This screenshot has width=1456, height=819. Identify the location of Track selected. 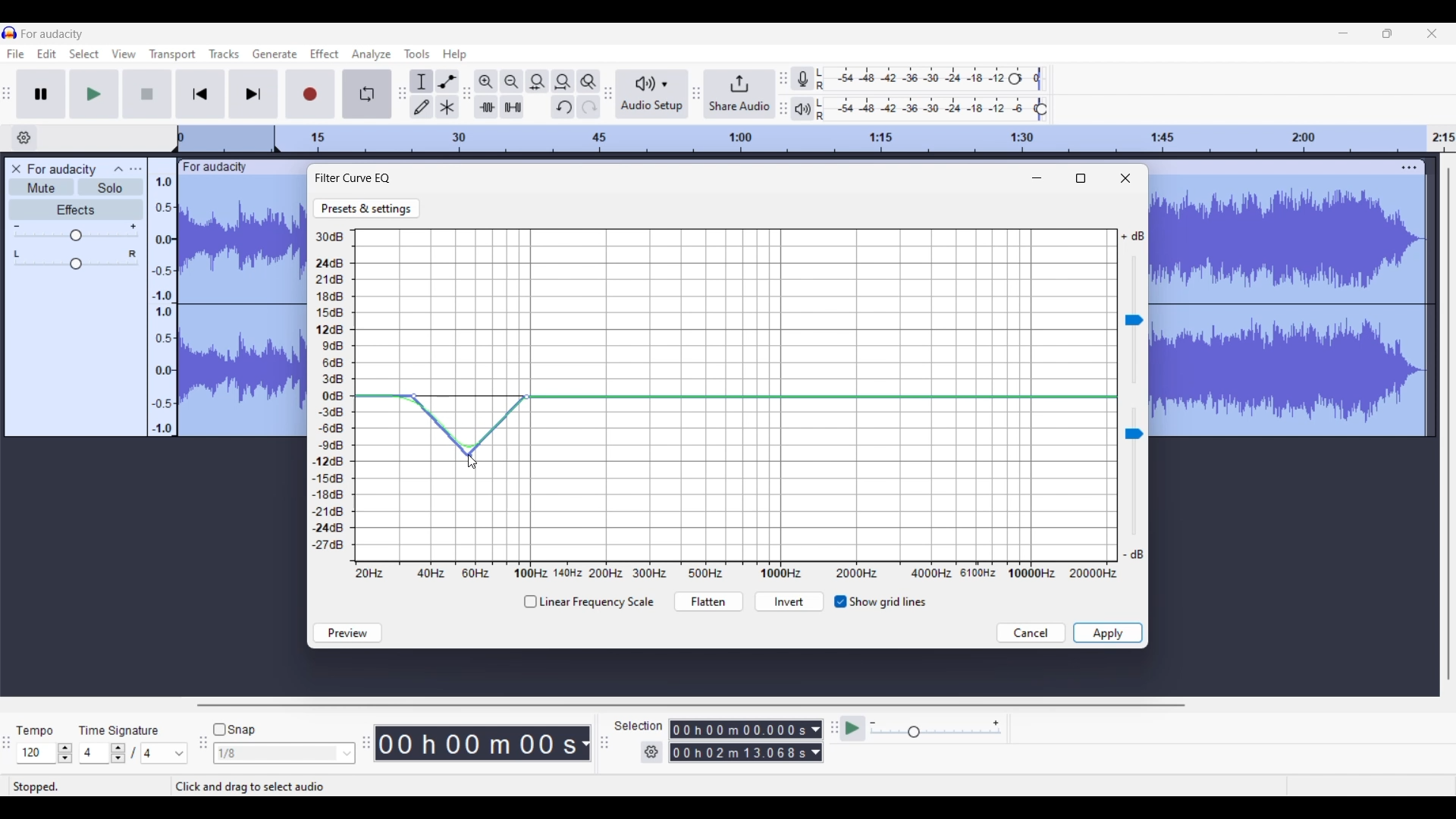
(1290, 309).